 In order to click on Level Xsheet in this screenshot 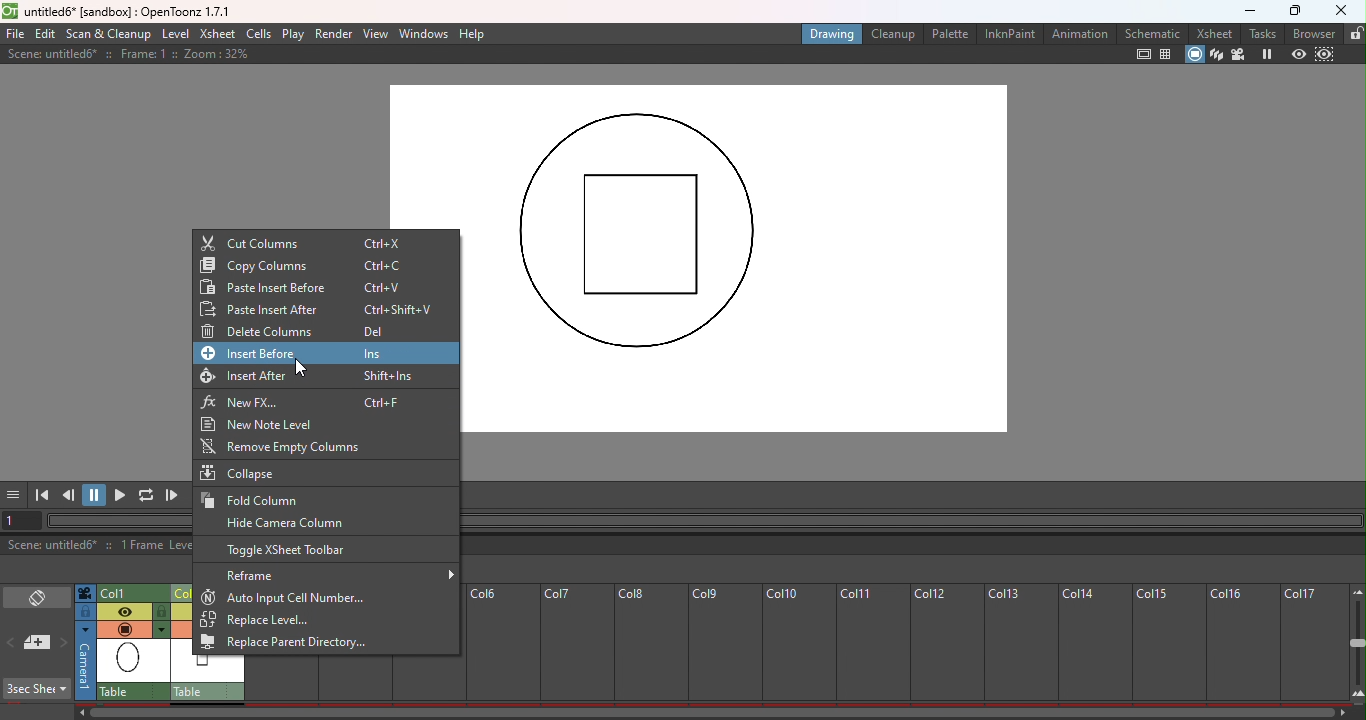, I will do `click(199, 33)`.